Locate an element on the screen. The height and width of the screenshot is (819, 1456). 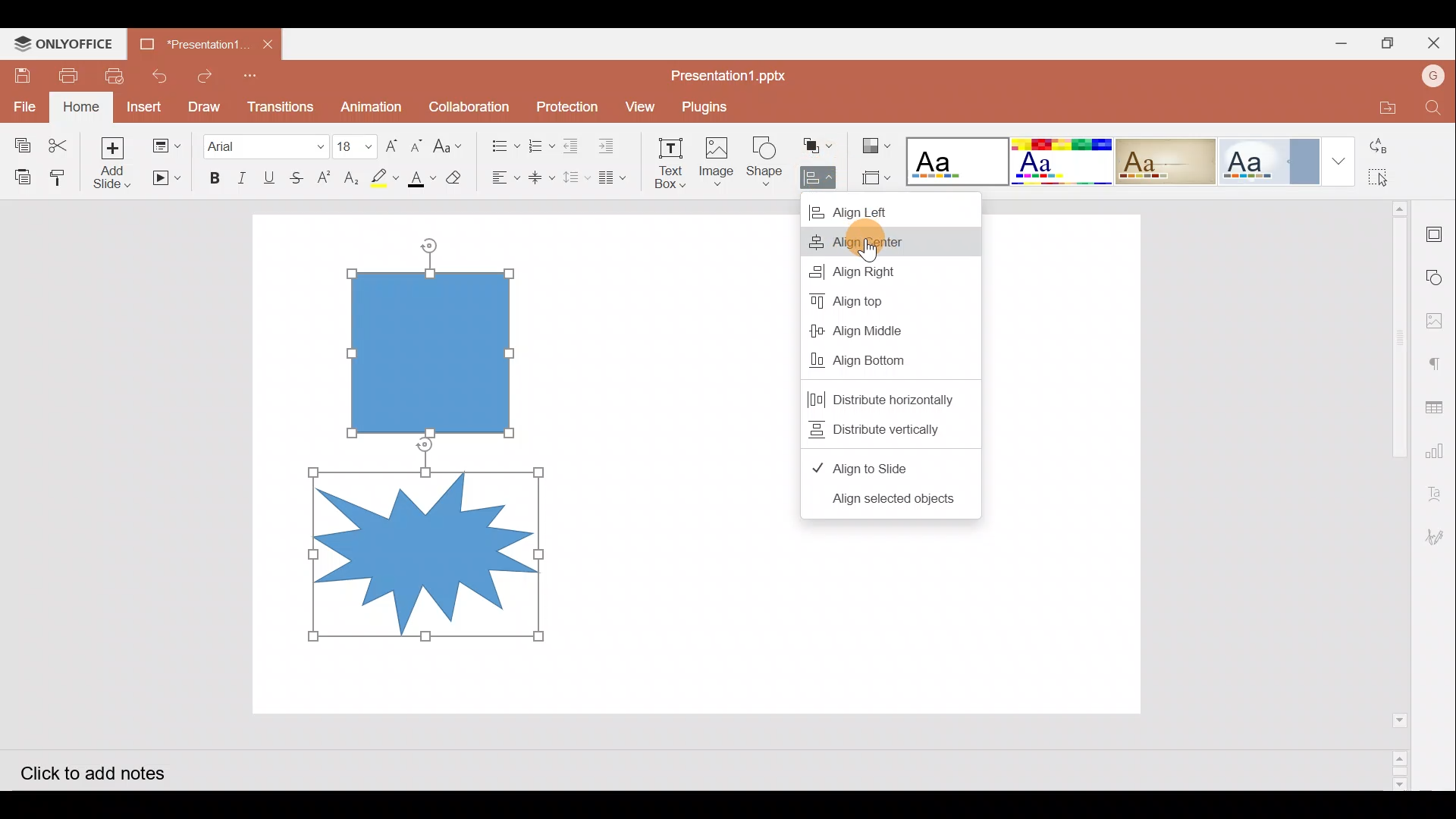
Text Art settings is located at coordinates (1437, 497).